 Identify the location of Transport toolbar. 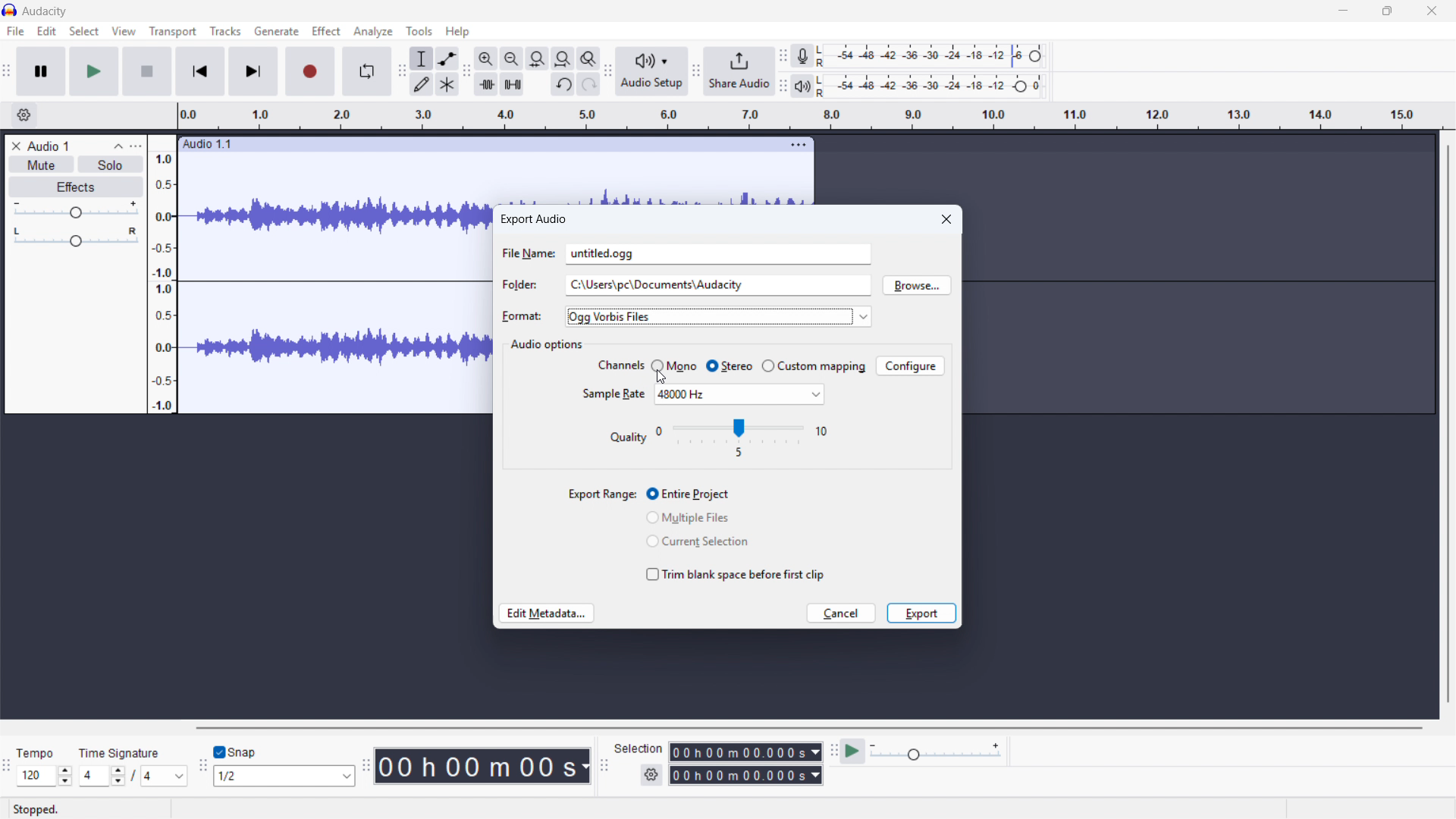
(7, 73).